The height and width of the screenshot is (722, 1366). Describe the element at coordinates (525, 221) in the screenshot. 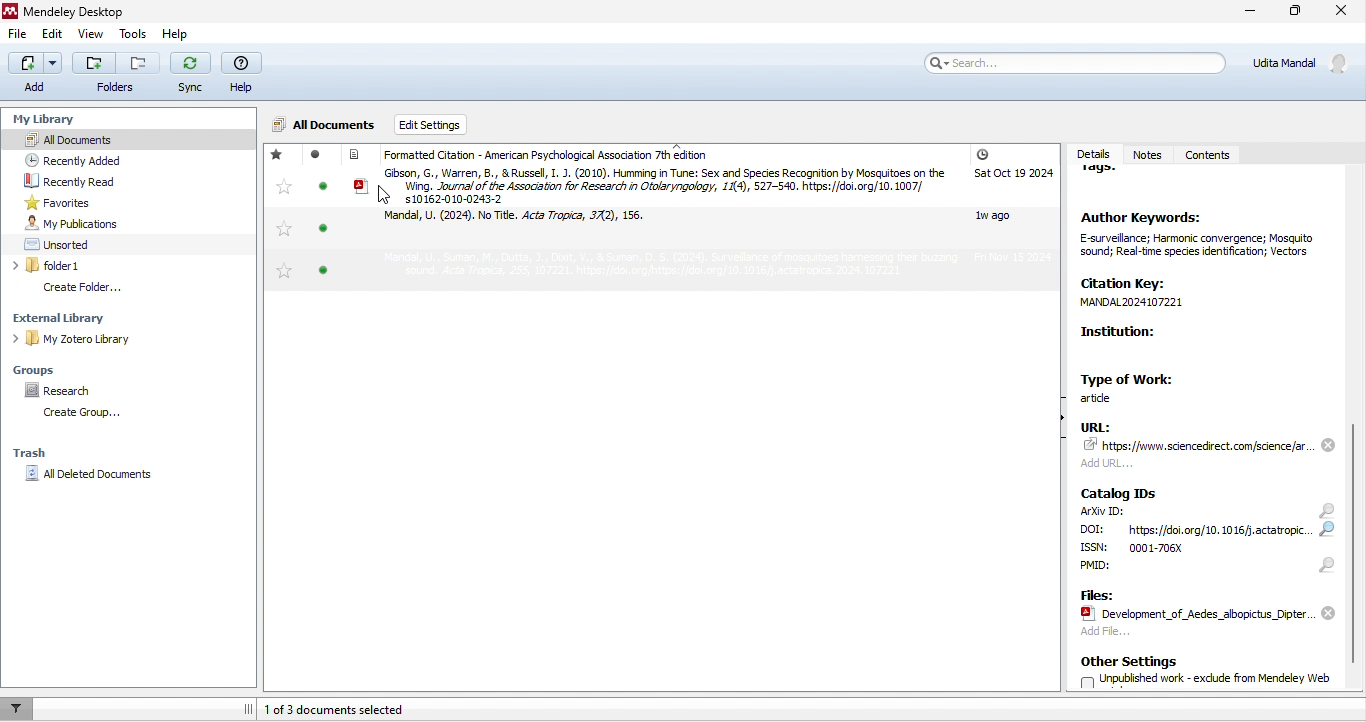

I see `article by Mandal et al, 2024` at that location.